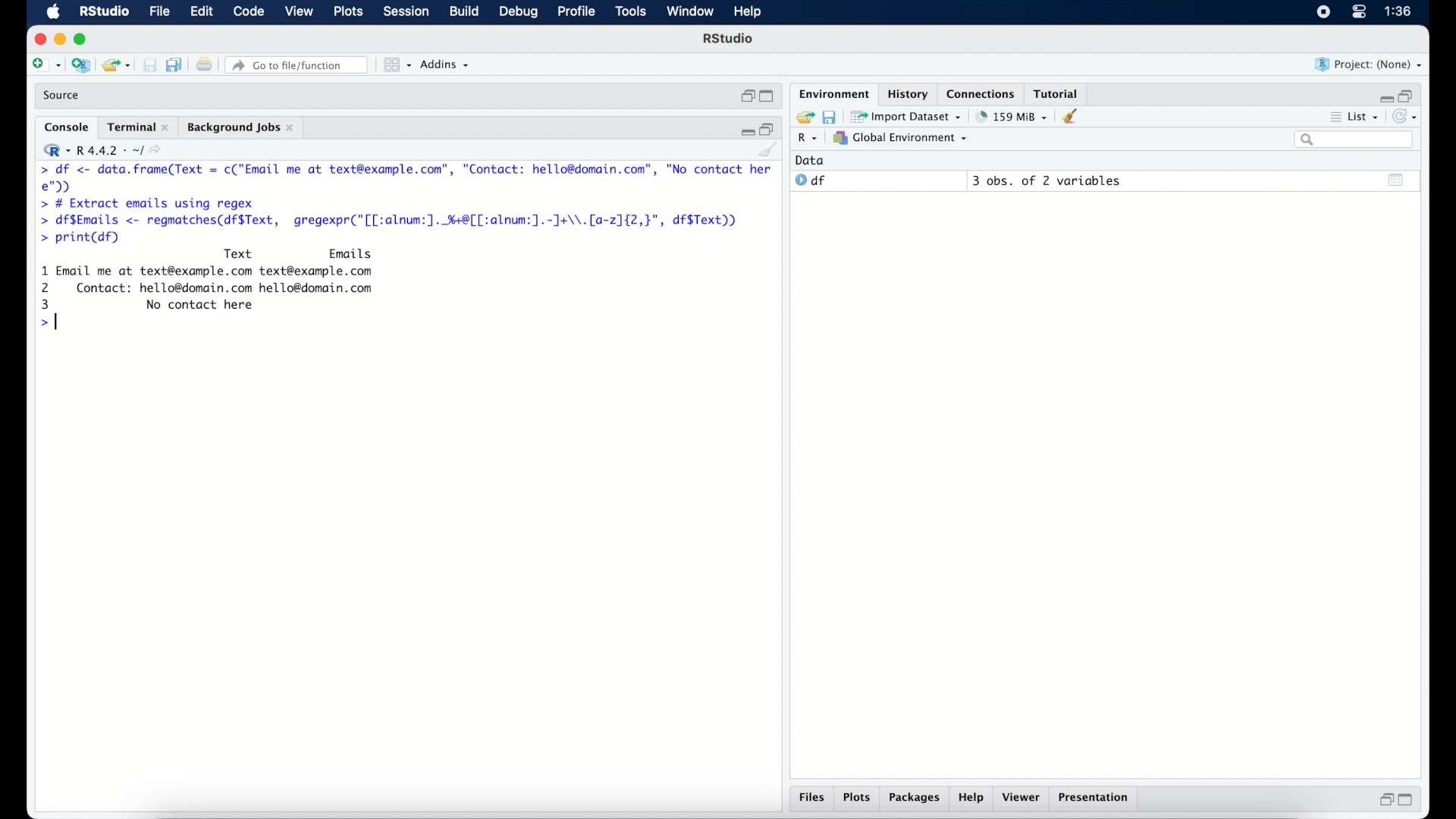 This screenshot has width=1456, height=819. What do you see at coordinates (1096, 799) in the screenshot?
I see `presentation` at bounding box center [1096, 799].